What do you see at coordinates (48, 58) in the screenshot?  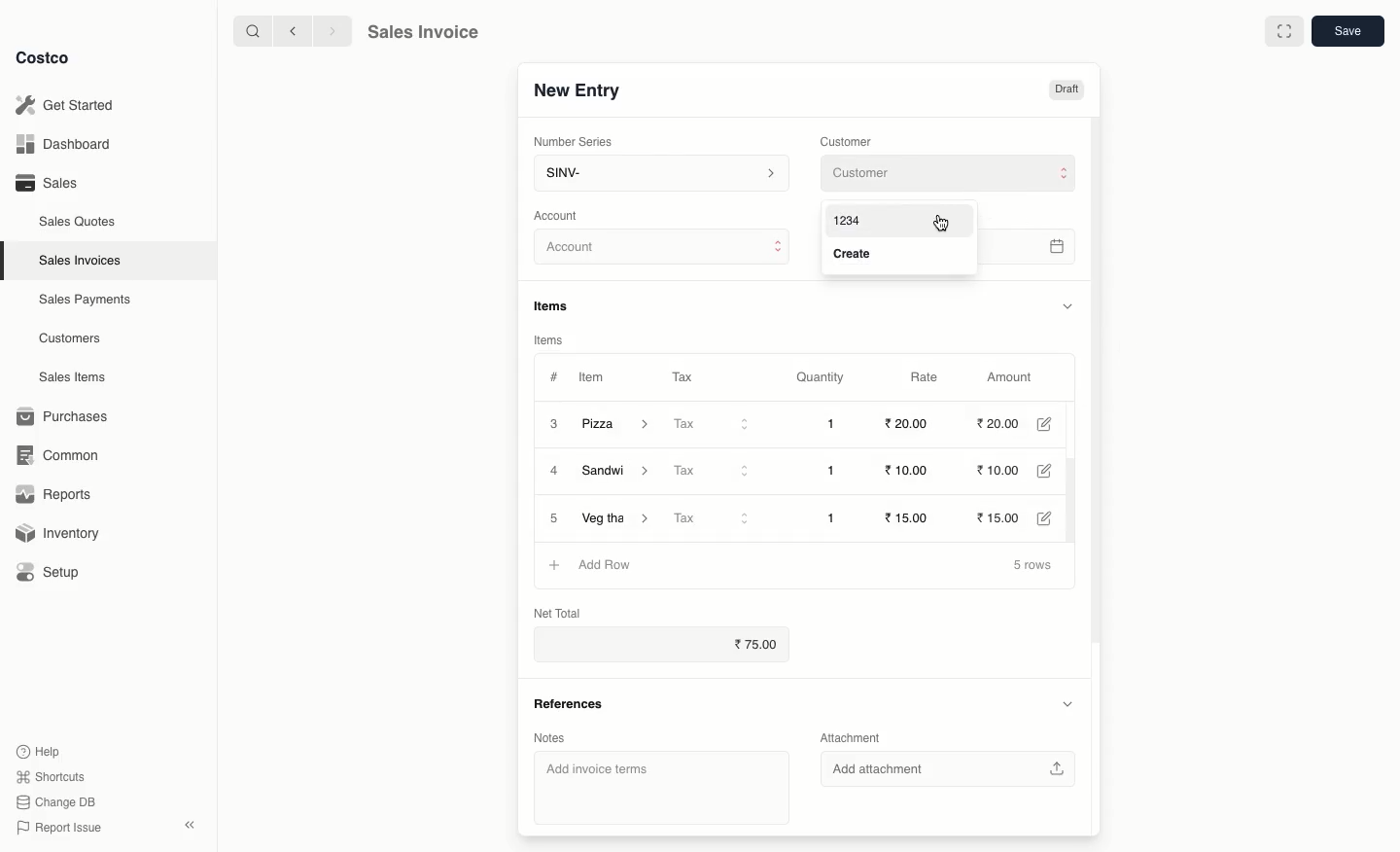 I see `Costco` at bounding box center [48, 58].